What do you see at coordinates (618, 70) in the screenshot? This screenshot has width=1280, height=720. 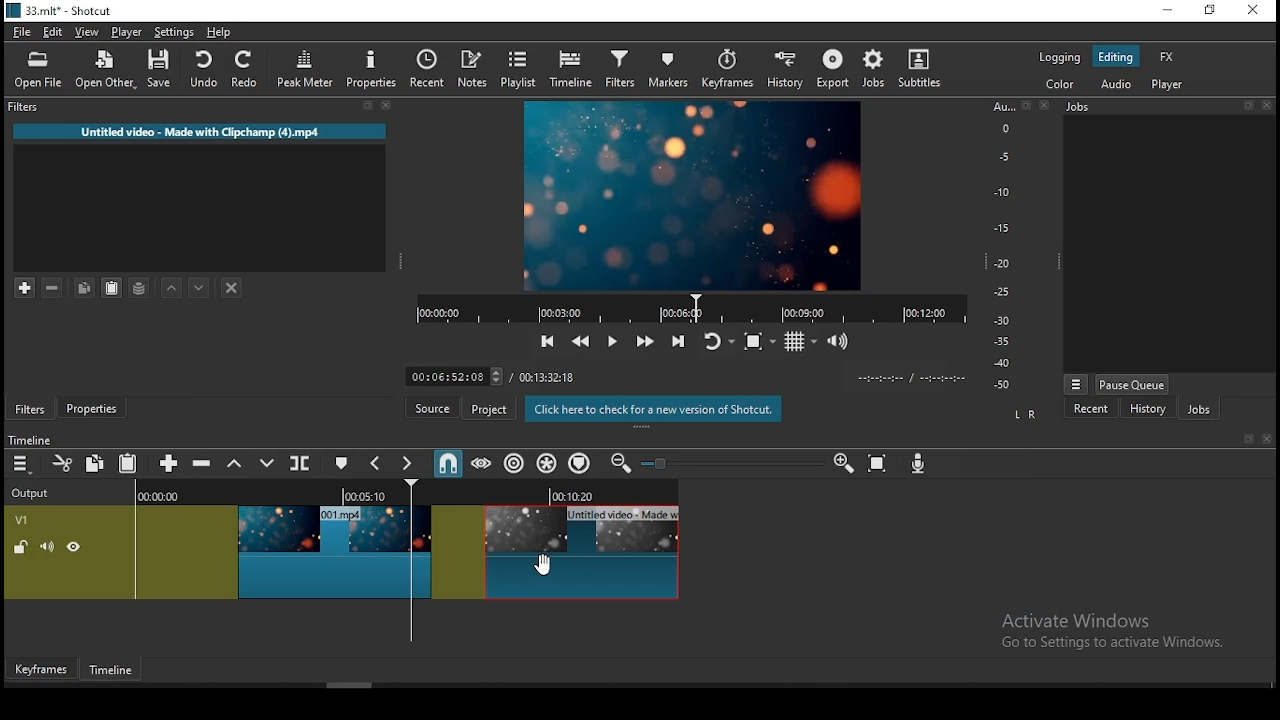 I see `filters` at bounding box center [618, 70].